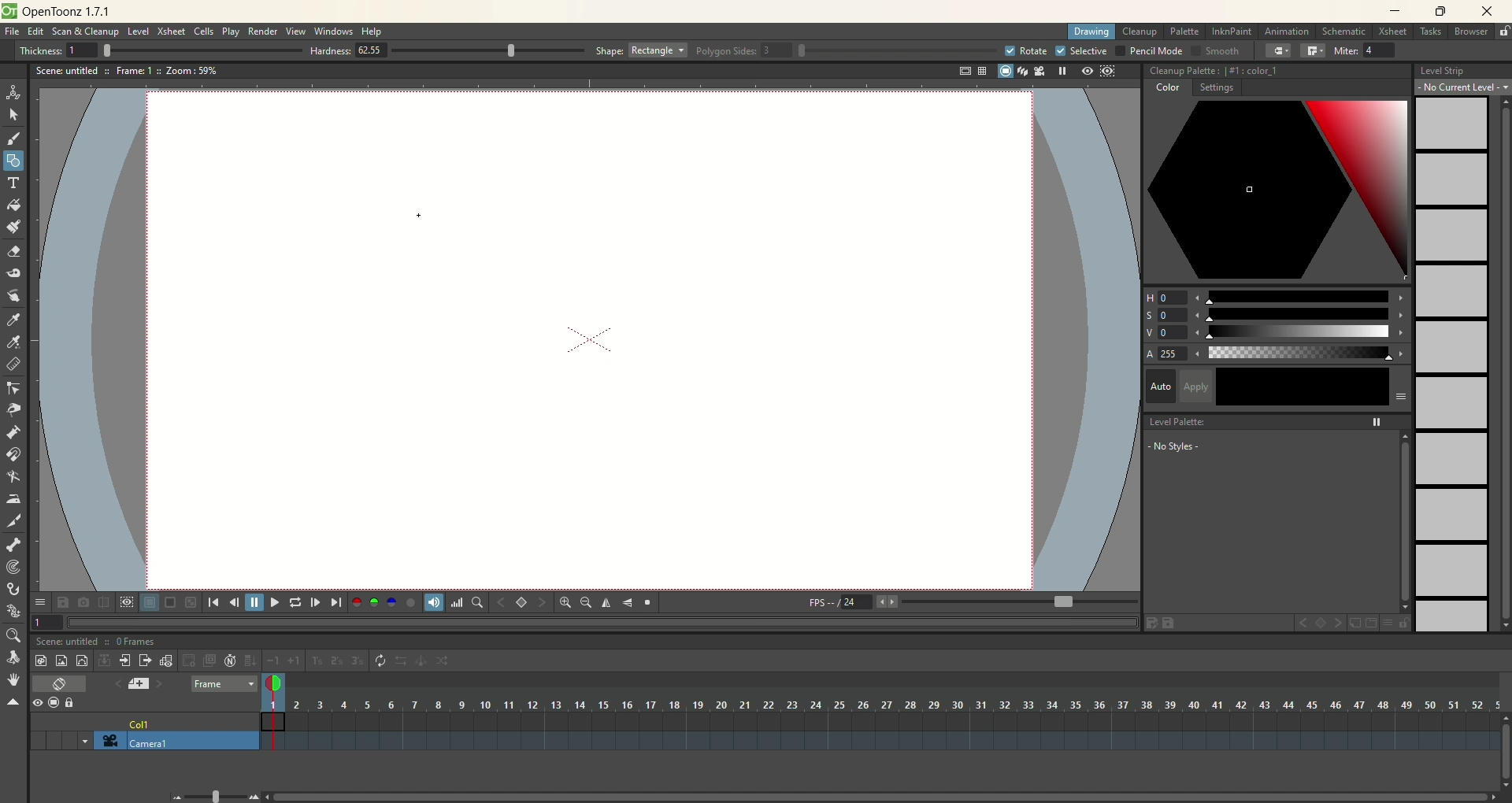 The height and width of the screenshot is (803, 1512). Describe the element at coordinates (12, 612) in the screenshot. I see `plastic` at that location.